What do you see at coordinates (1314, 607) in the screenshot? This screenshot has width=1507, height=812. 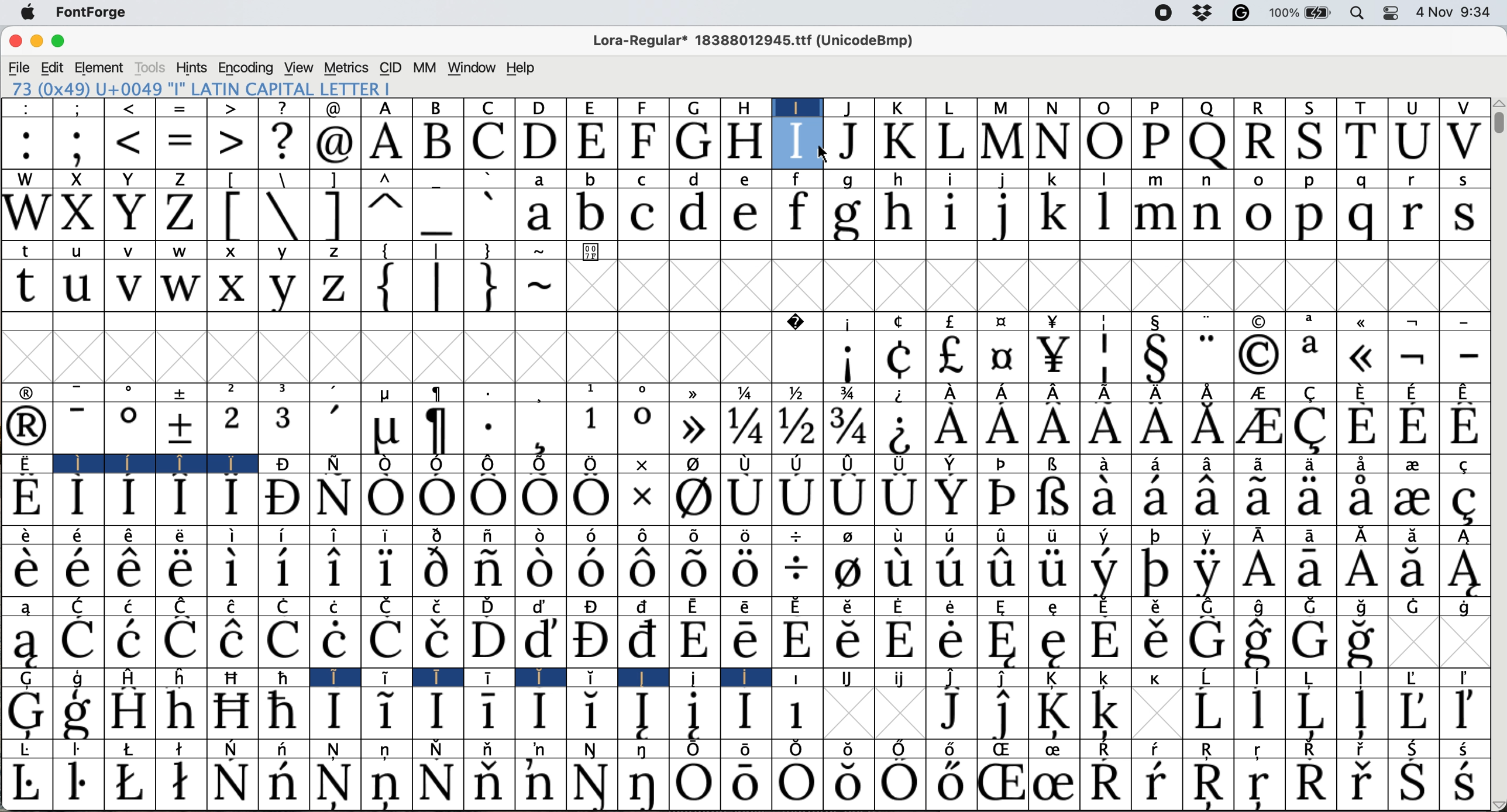 I see `Symbol` at bounding box center [1314, 607].